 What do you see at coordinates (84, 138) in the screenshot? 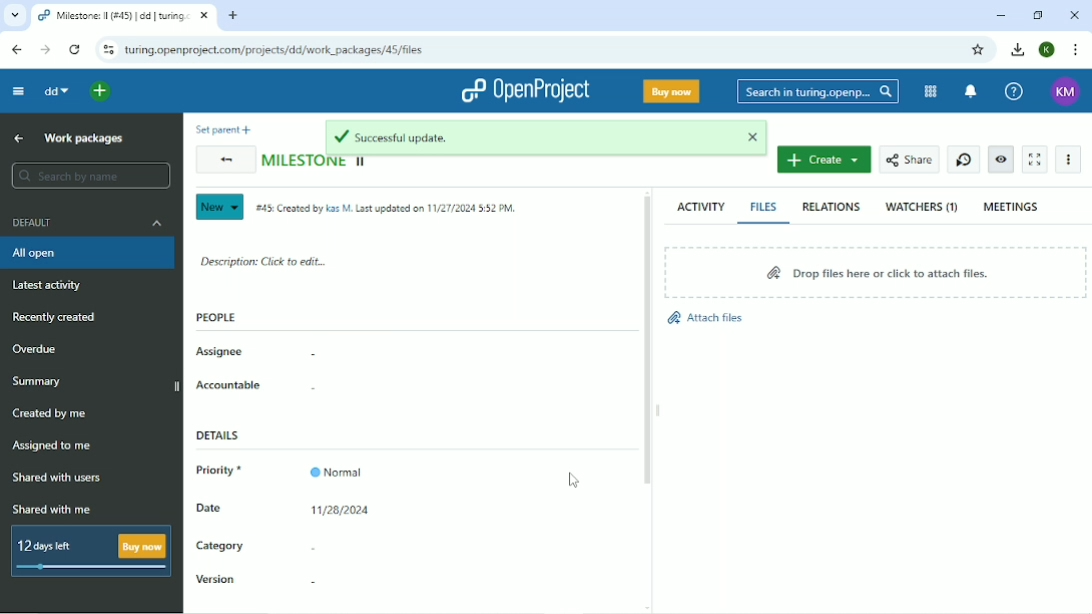
I see `Work packages` at bounding box center [84, 138].